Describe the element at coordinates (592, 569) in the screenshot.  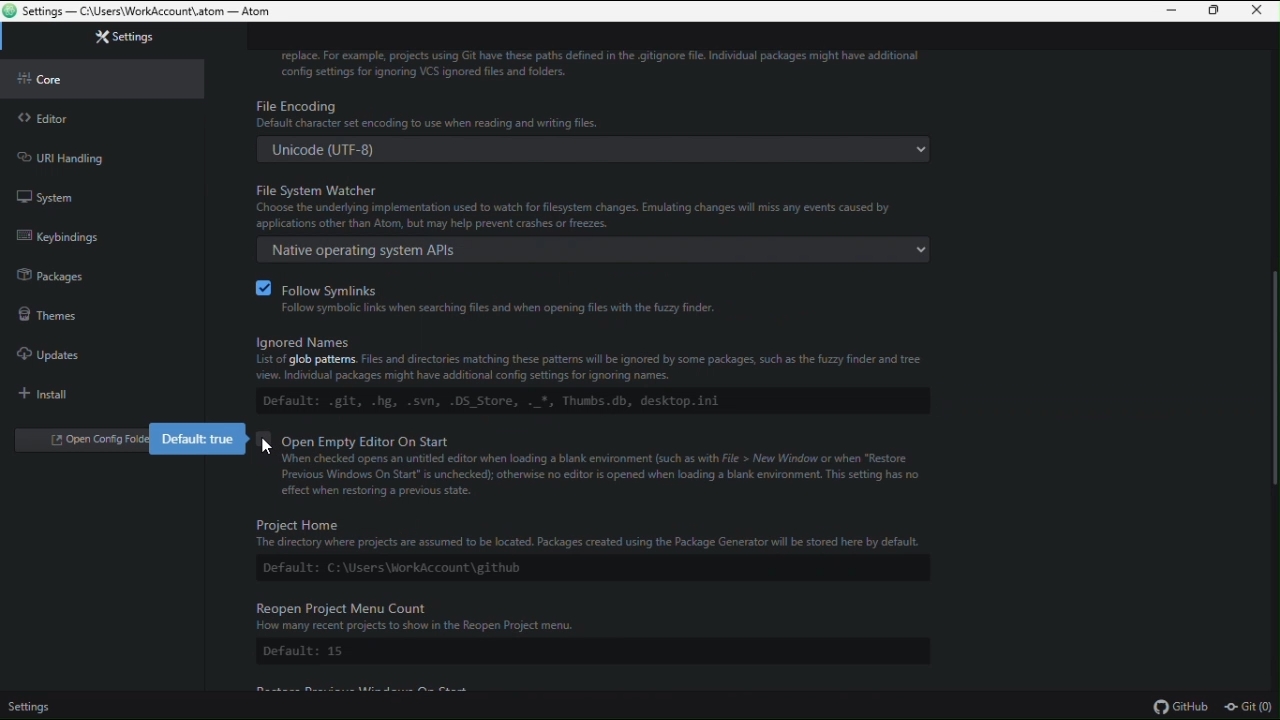
I see `defailt` at that location.